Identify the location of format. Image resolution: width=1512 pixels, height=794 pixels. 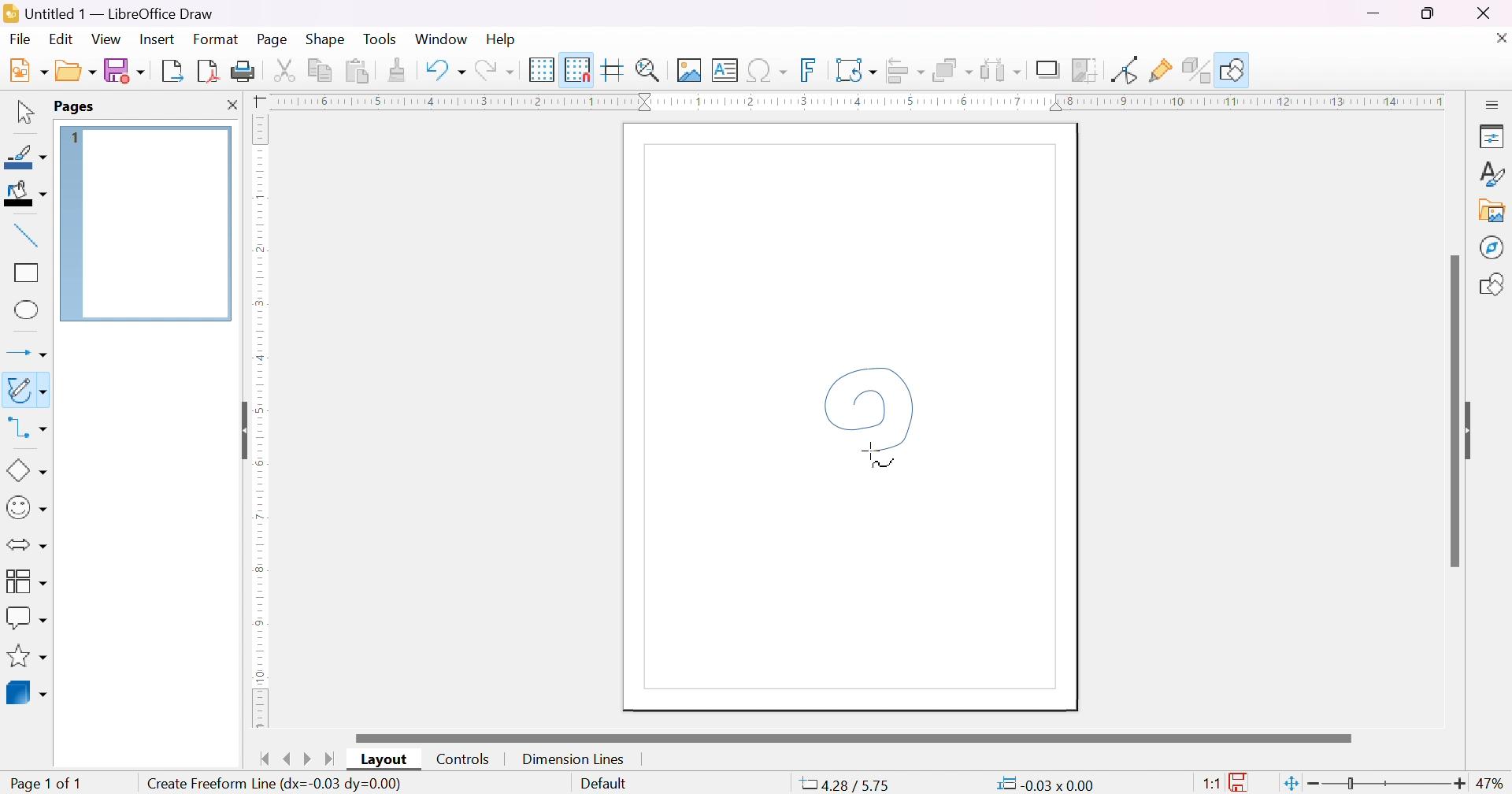
(217, 38).